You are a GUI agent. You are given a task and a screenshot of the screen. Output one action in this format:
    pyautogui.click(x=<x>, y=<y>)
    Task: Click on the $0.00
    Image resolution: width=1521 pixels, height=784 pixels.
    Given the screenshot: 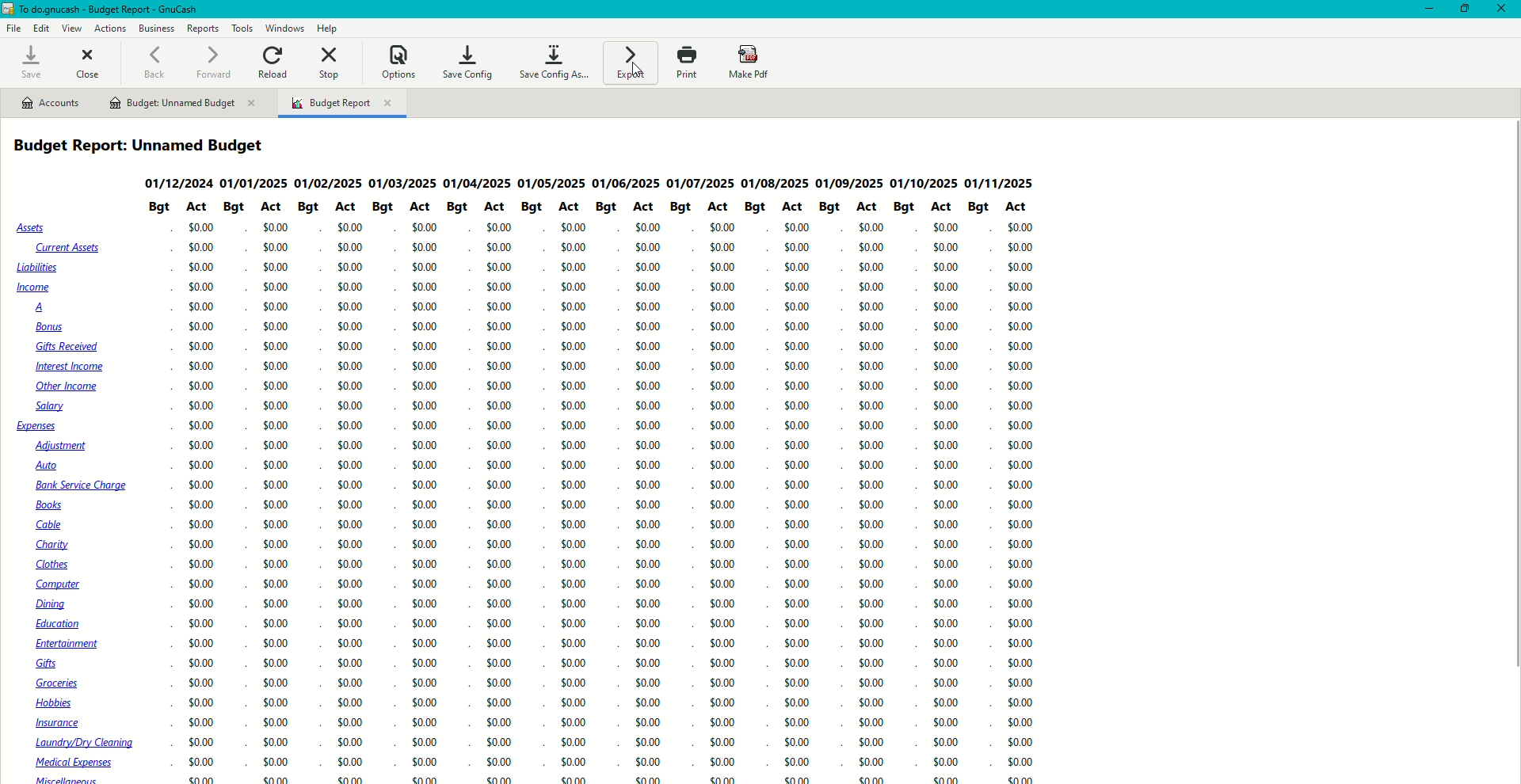 What is the action you would take?
    pyautogui.click(x=352, y=345)
    